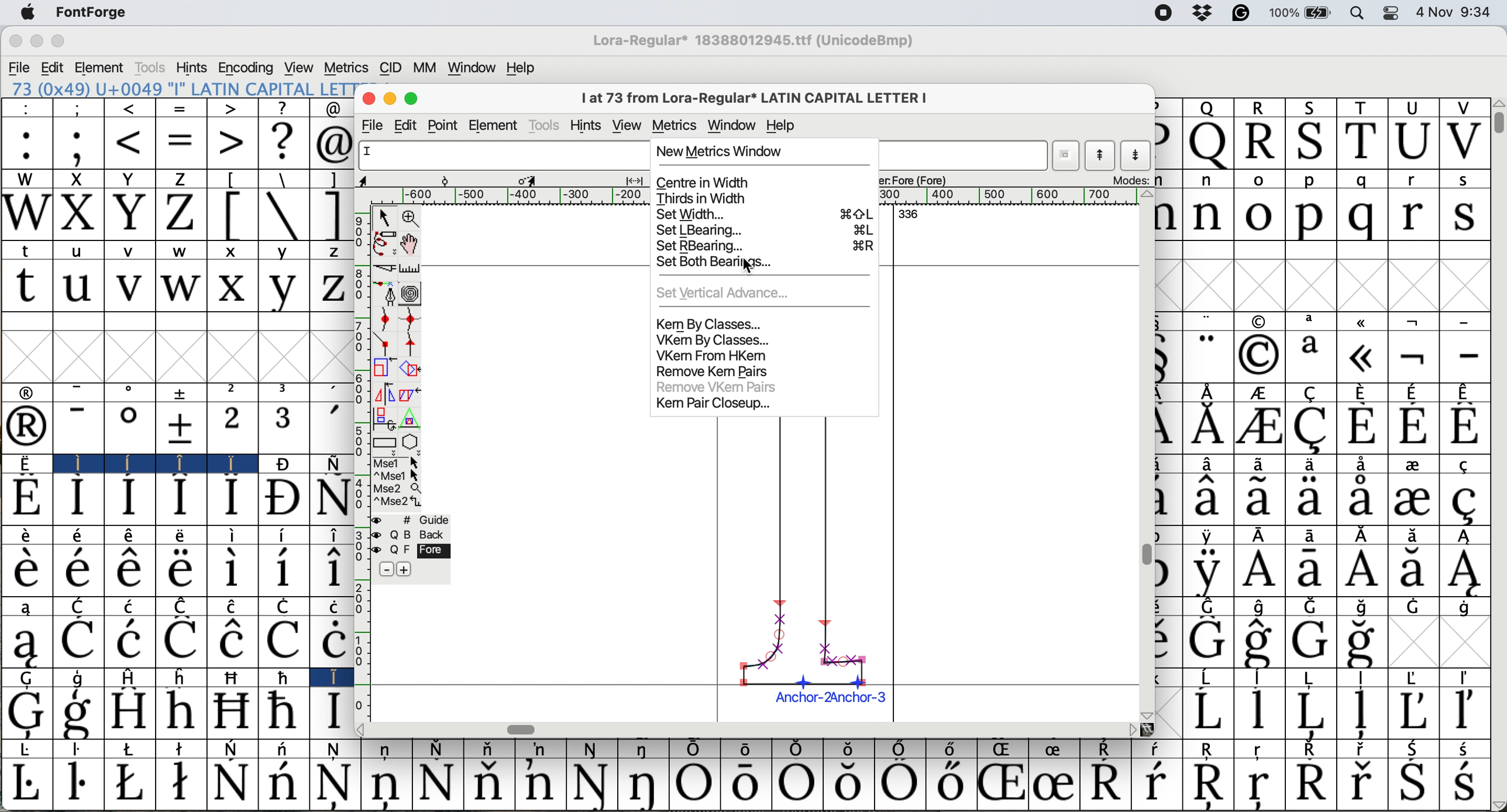  I want to click on view, so click(300, 67).